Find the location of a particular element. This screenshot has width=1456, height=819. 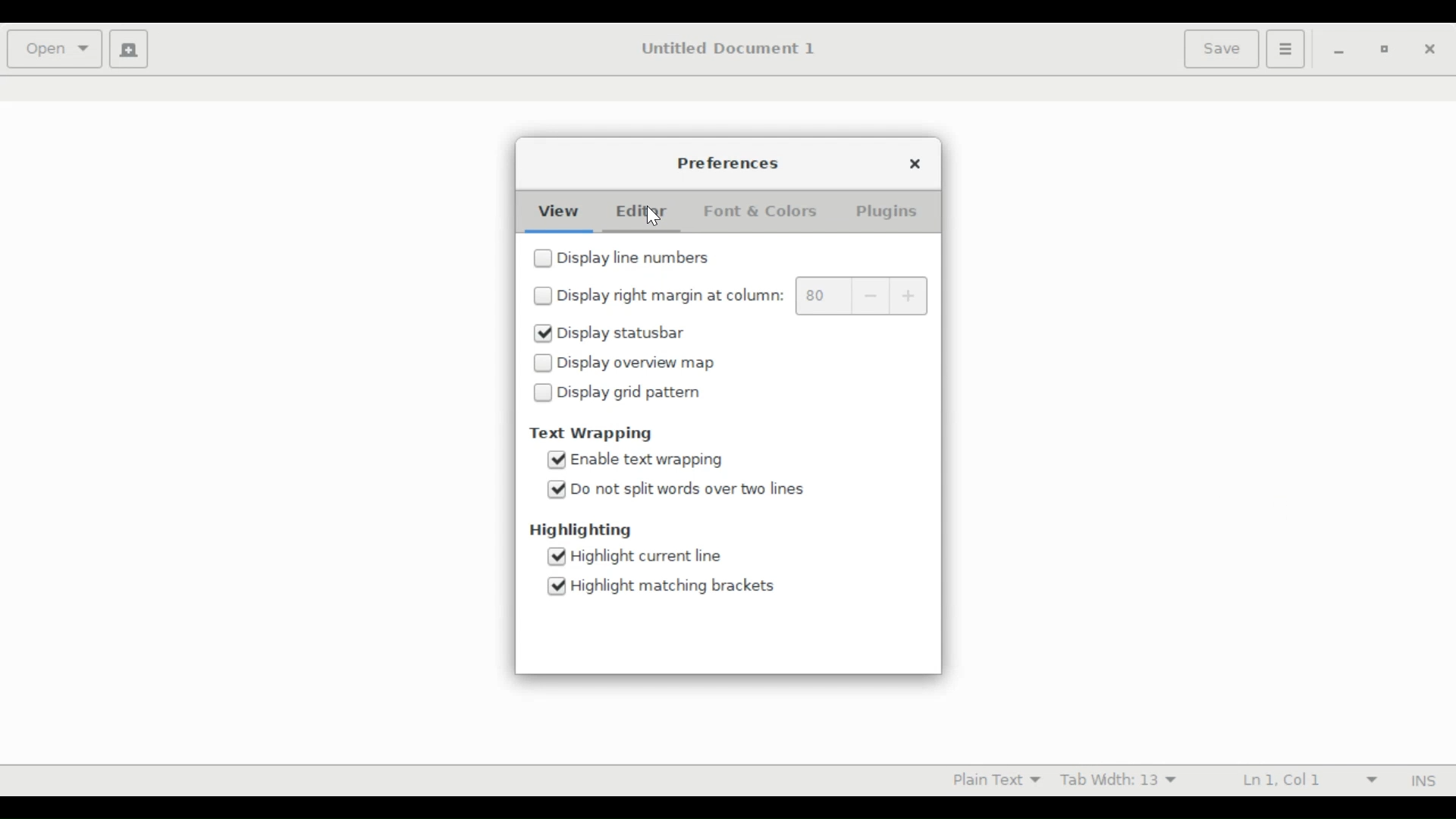

close is located at coordinates (1428, 48).